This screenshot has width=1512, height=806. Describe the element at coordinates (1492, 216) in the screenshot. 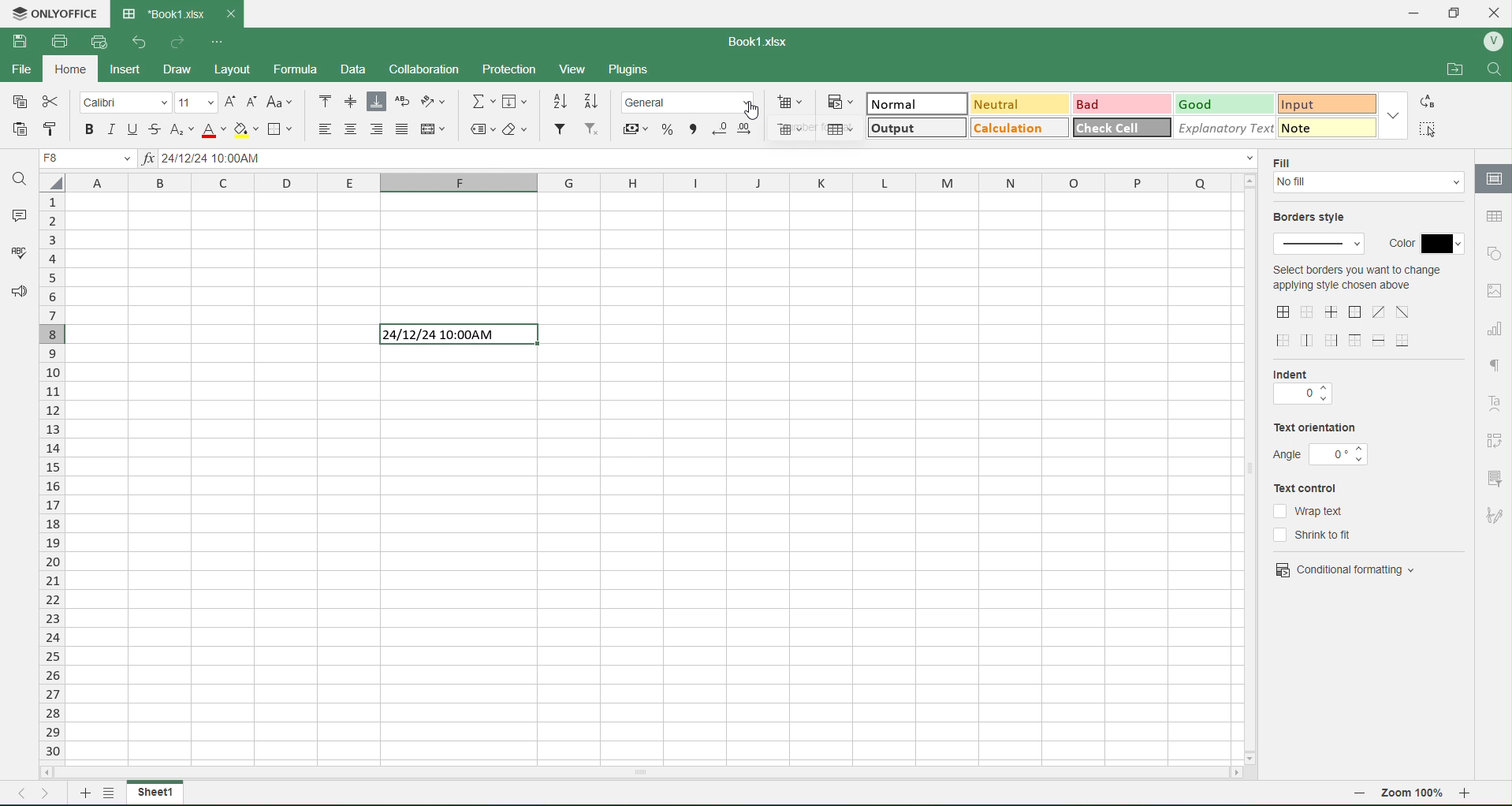

I see `table` at that location.